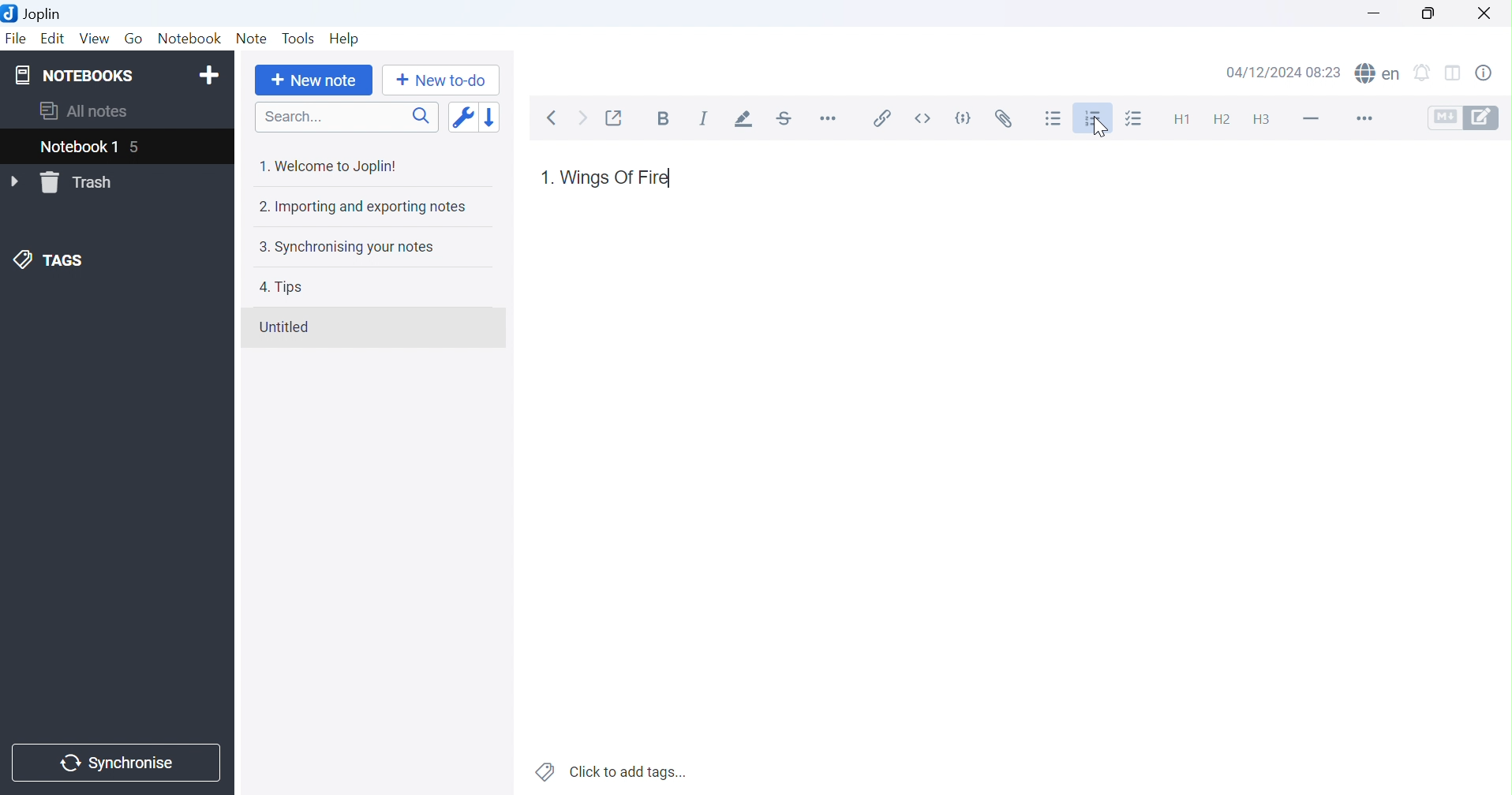  I want to click on Forward, so click(582, 118).